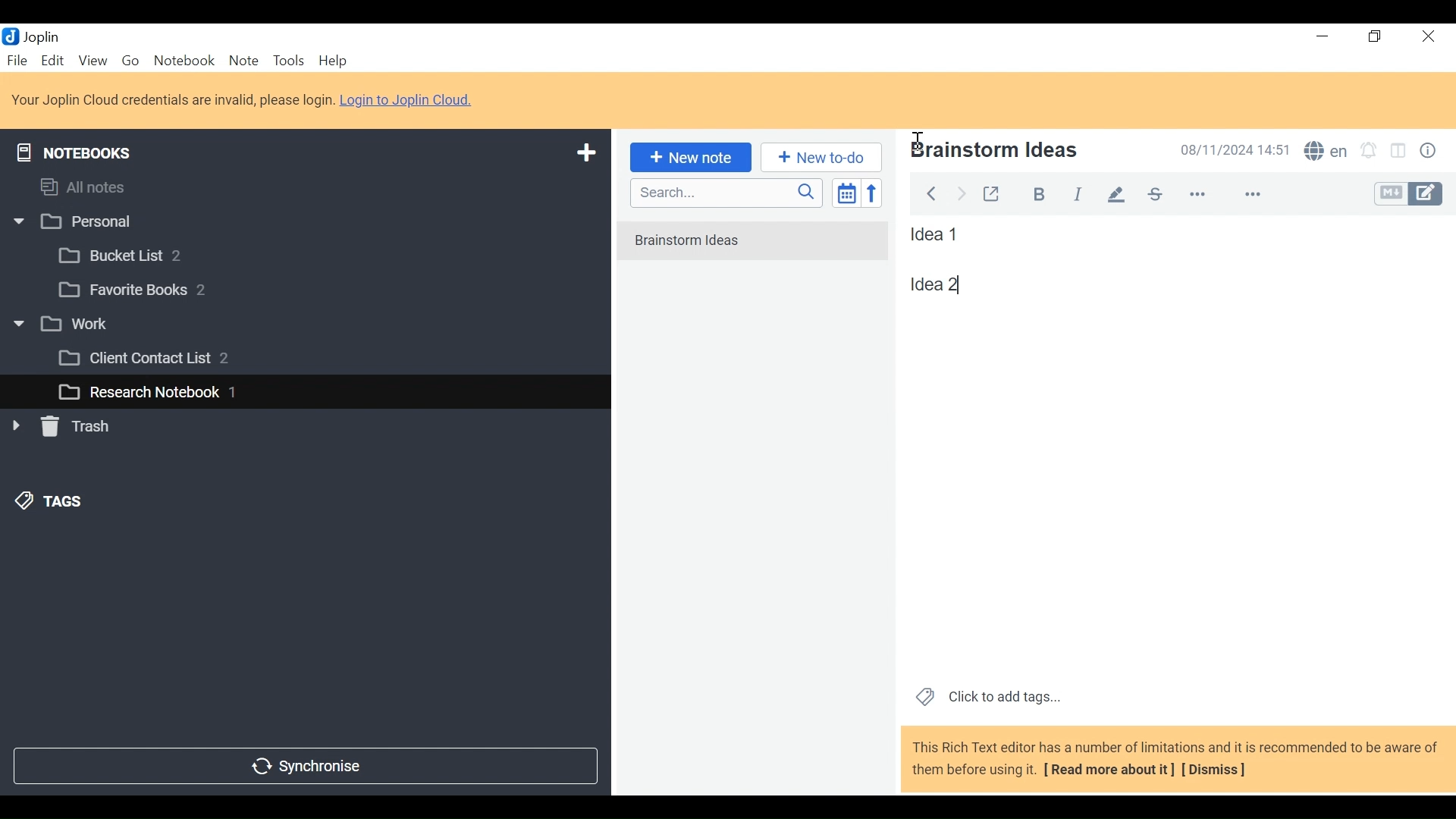 The width and height of the screenshot is (1456, 819). Describe the element at coordinates (1079, 193) in the screenshot. I see `italiac` at that location.